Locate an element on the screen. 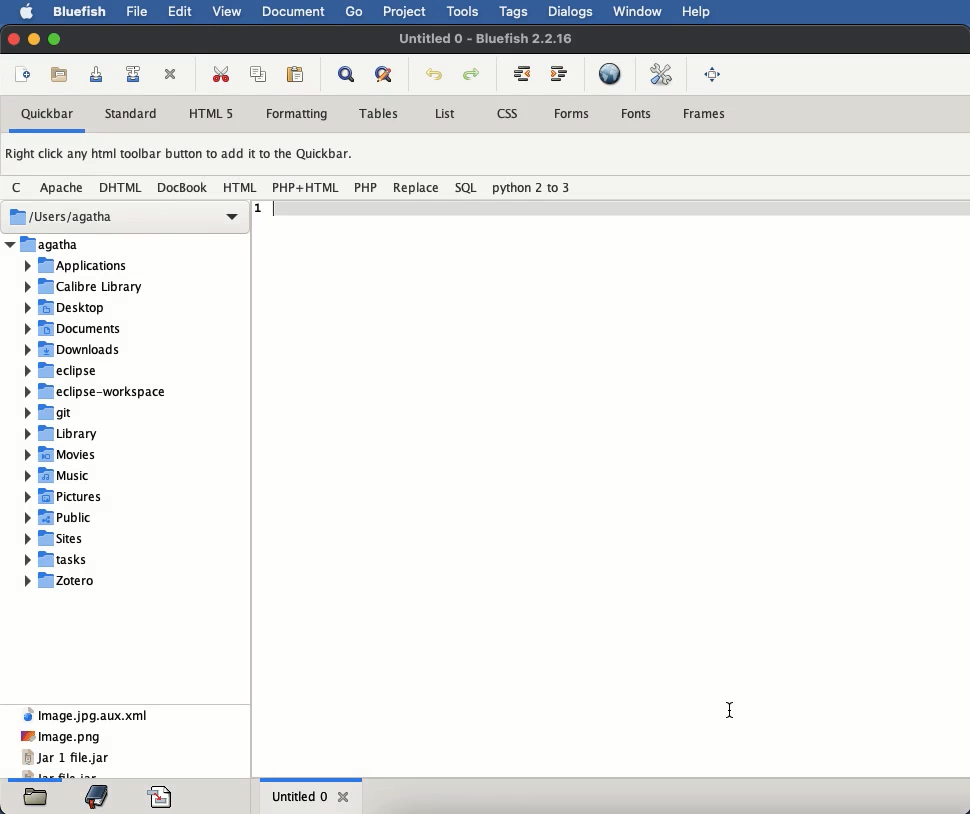  formatting is located at coordinates (296, 114).